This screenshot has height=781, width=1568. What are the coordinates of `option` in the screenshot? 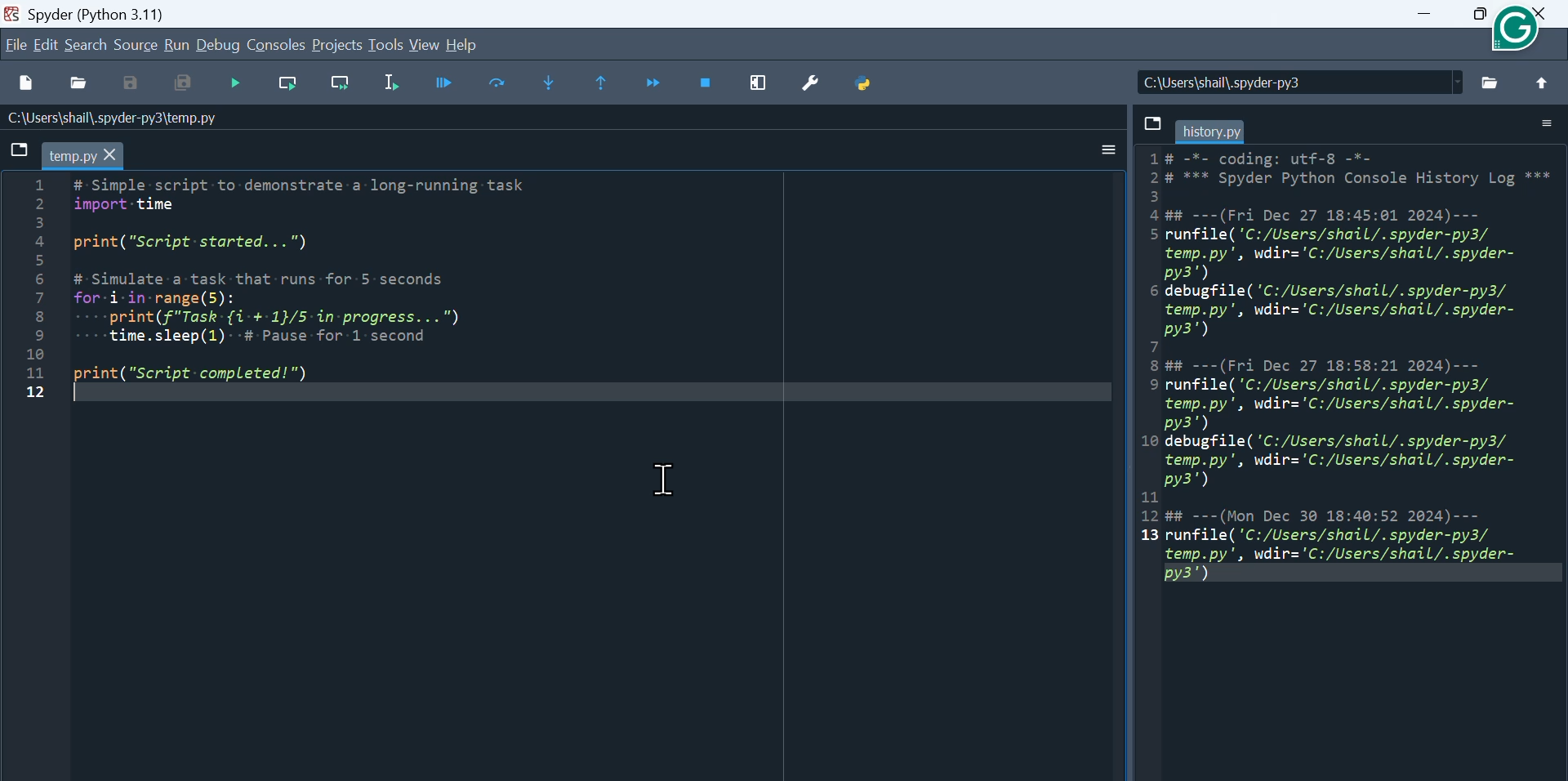 It's located at (1104, 147).